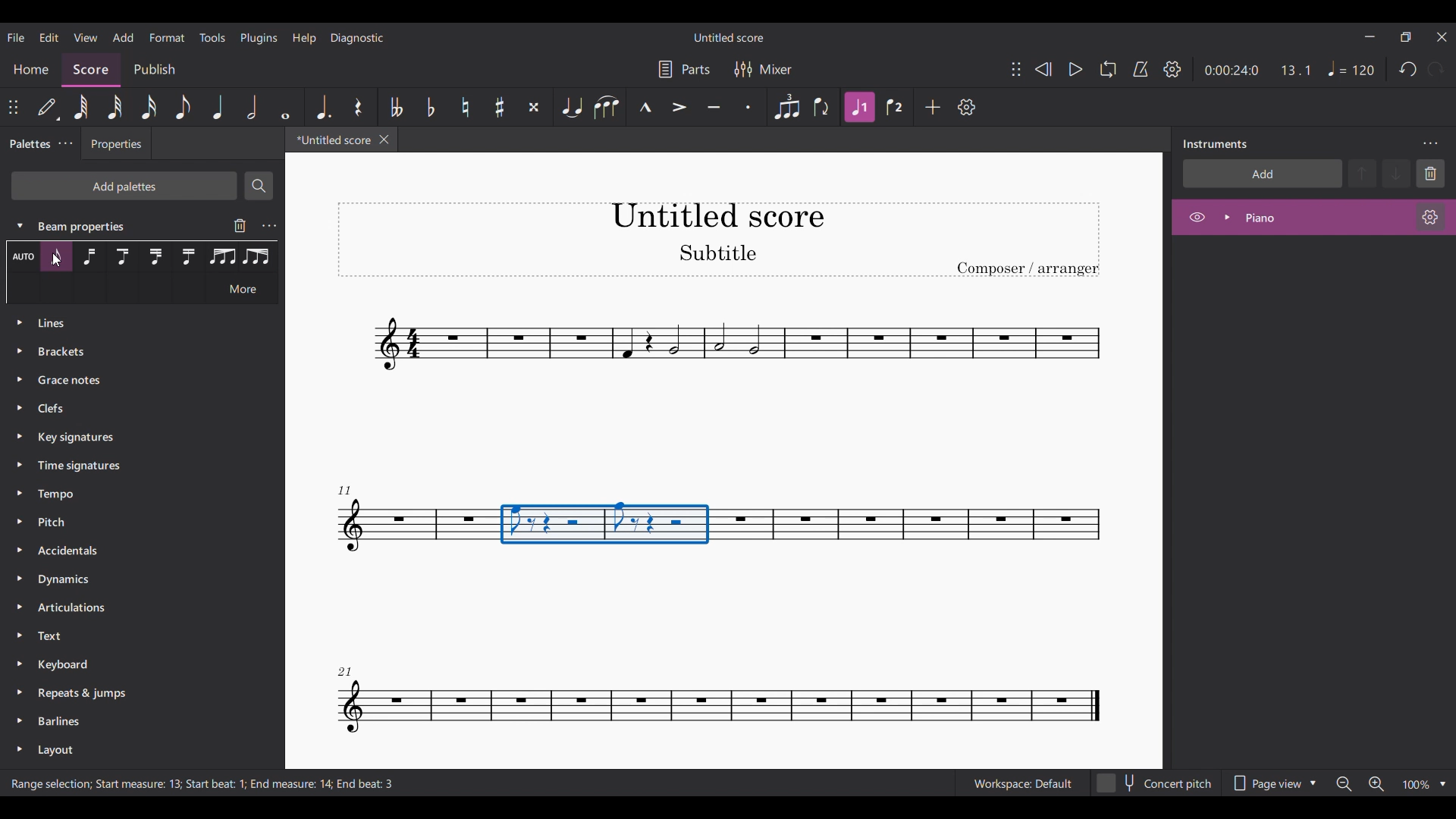  I want to click on Add palette, so click(124, 186).